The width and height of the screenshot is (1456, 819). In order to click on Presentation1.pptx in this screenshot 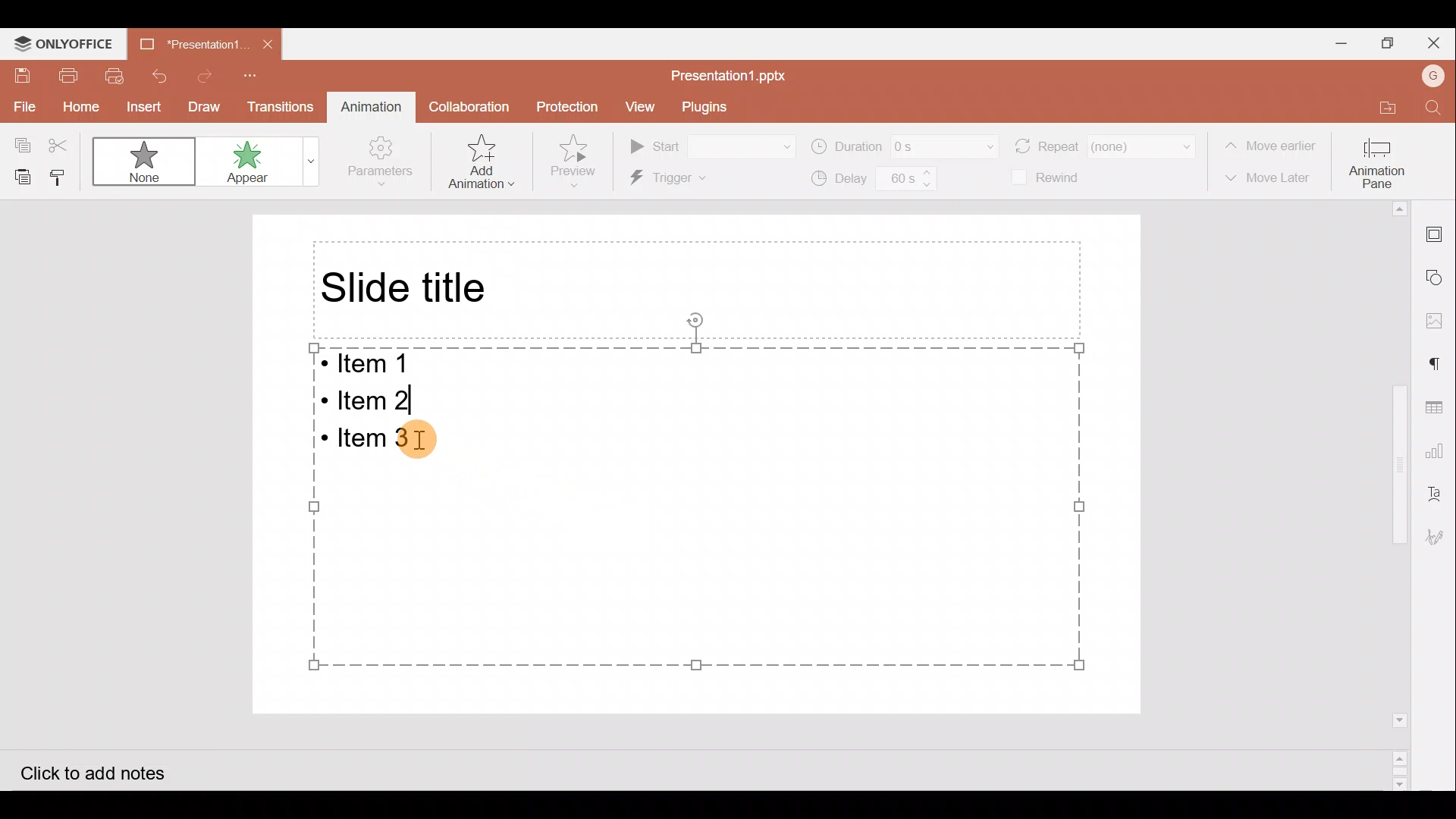, I will do `click(727, 76)`.